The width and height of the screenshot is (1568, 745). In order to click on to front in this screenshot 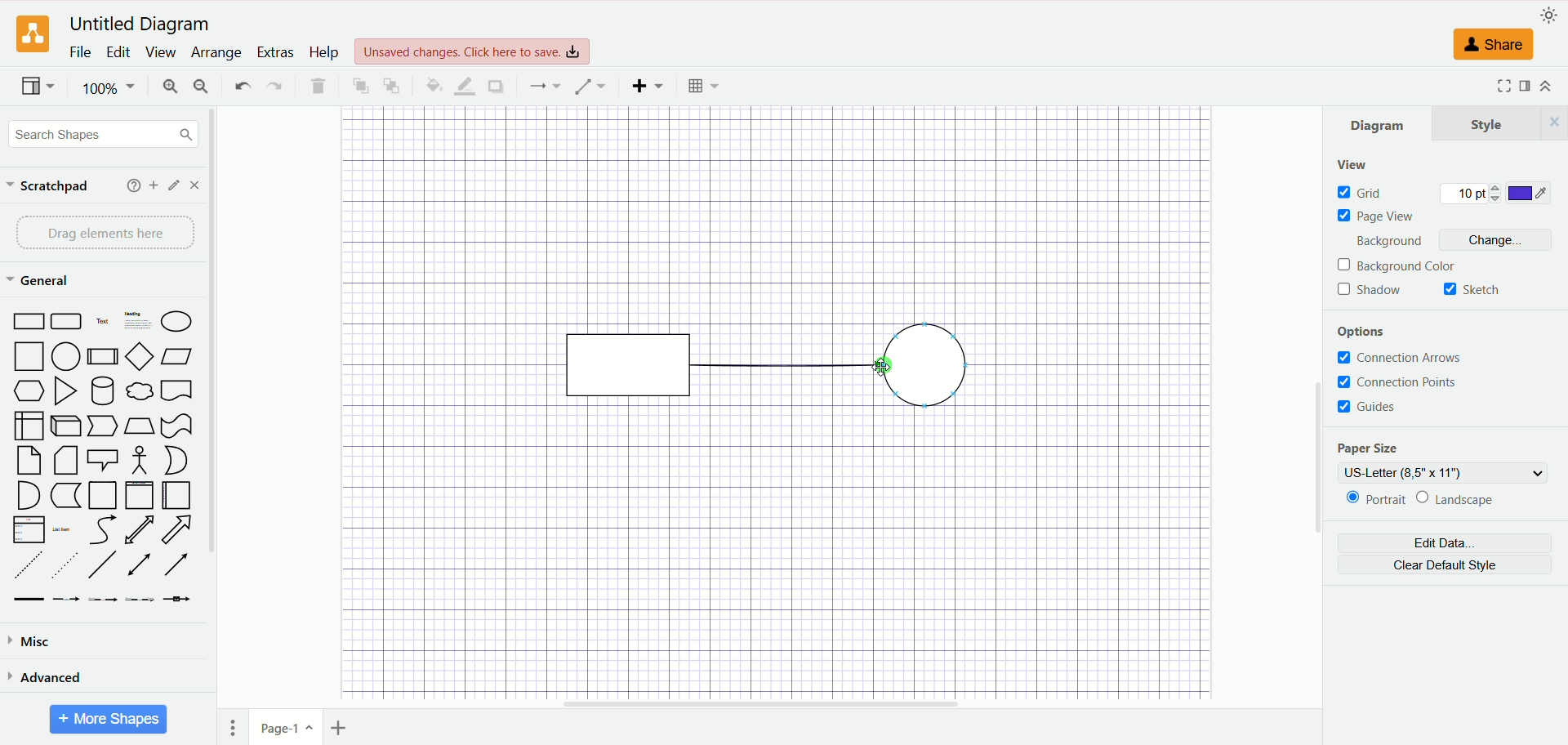, I will do `click(359, 84)`.